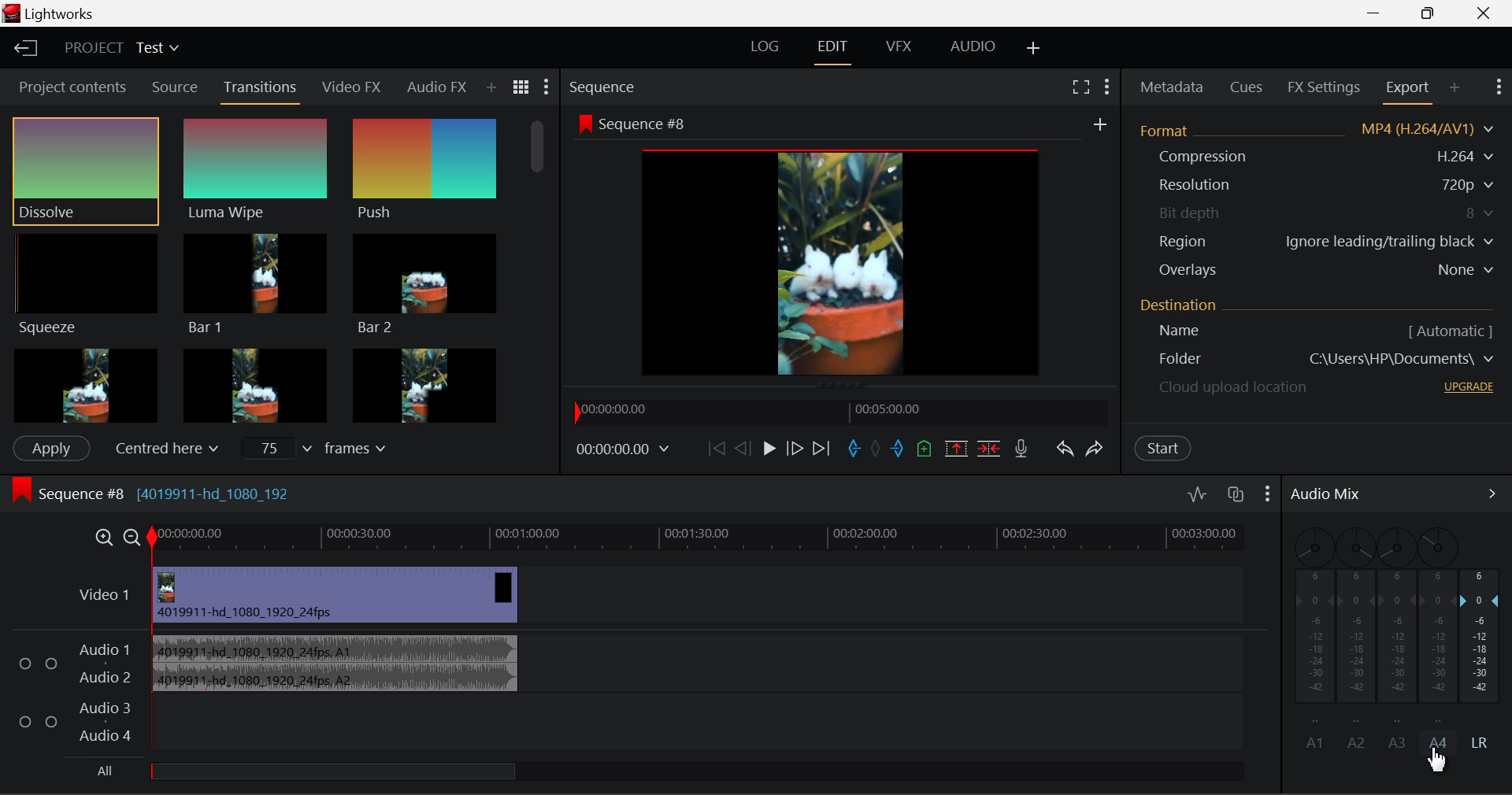  I want to click on Restore Down, so click(1373, 13).